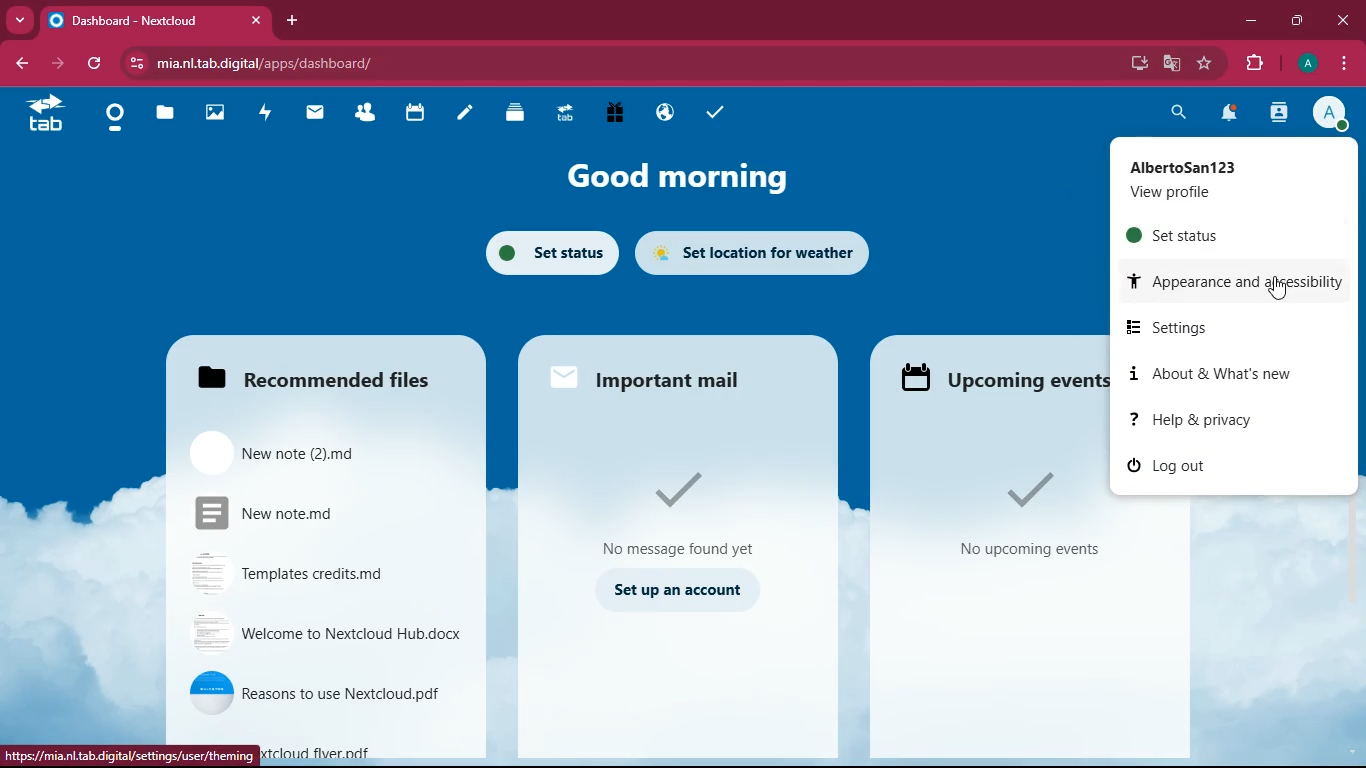 Image resolution: width=1366 pixels, height=768 pixels. Describe the element at coordinates (1344, 21) in the screenshot. I see `close` at that location.